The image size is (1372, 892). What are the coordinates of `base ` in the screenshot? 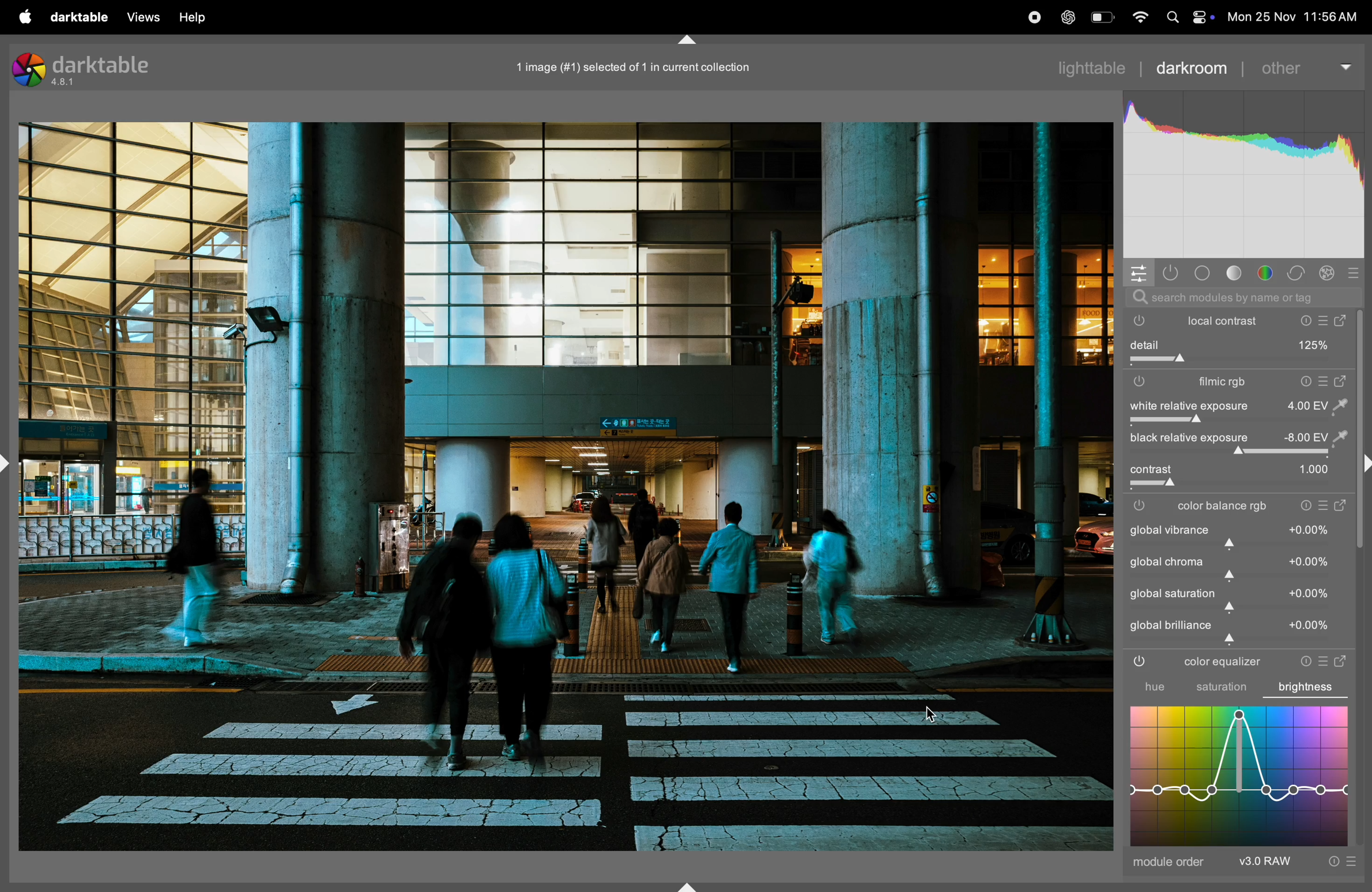 It's located at (1201, 270).